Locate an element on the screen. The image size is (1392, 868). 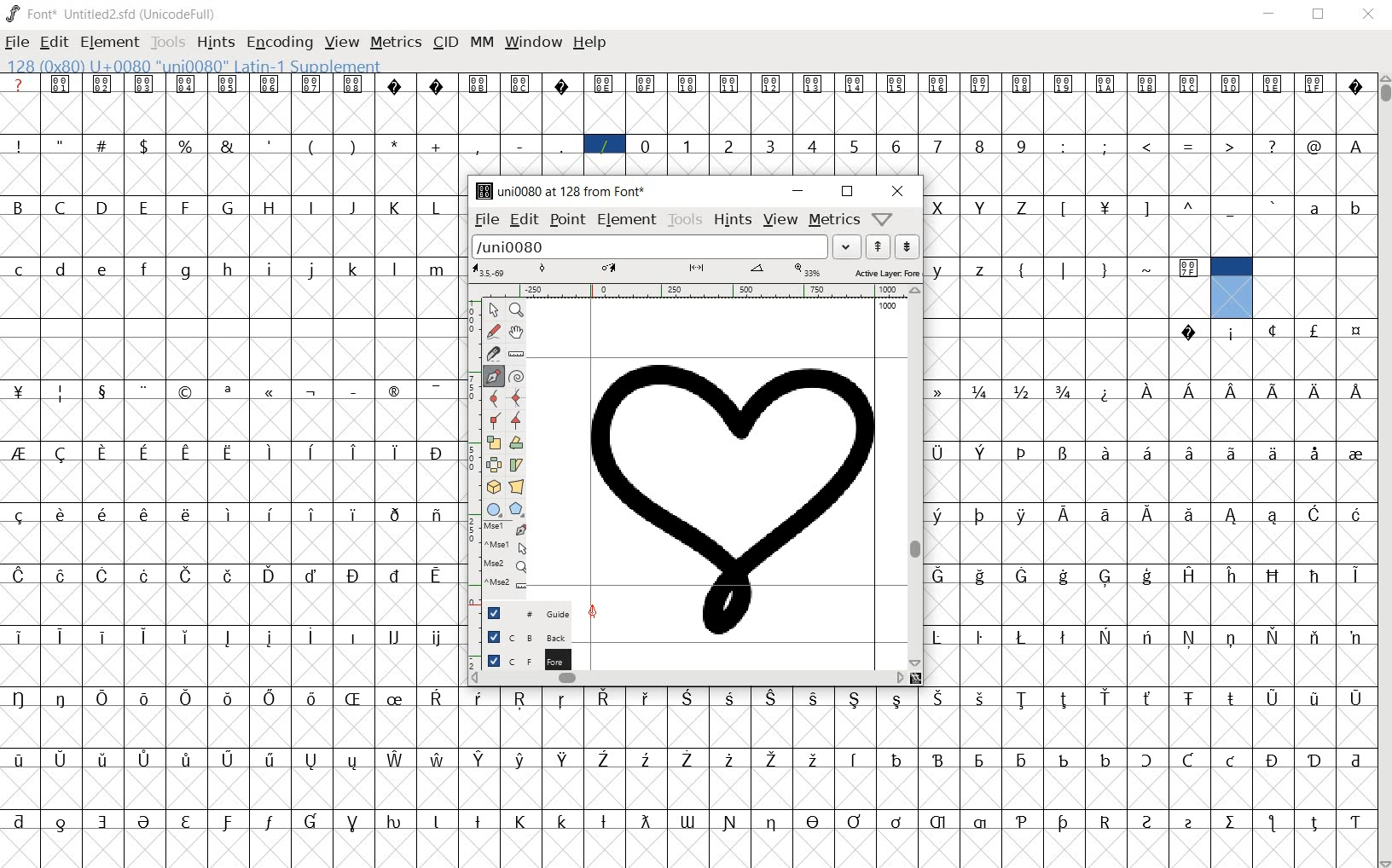
previous word is located at coordinates (879, 246).